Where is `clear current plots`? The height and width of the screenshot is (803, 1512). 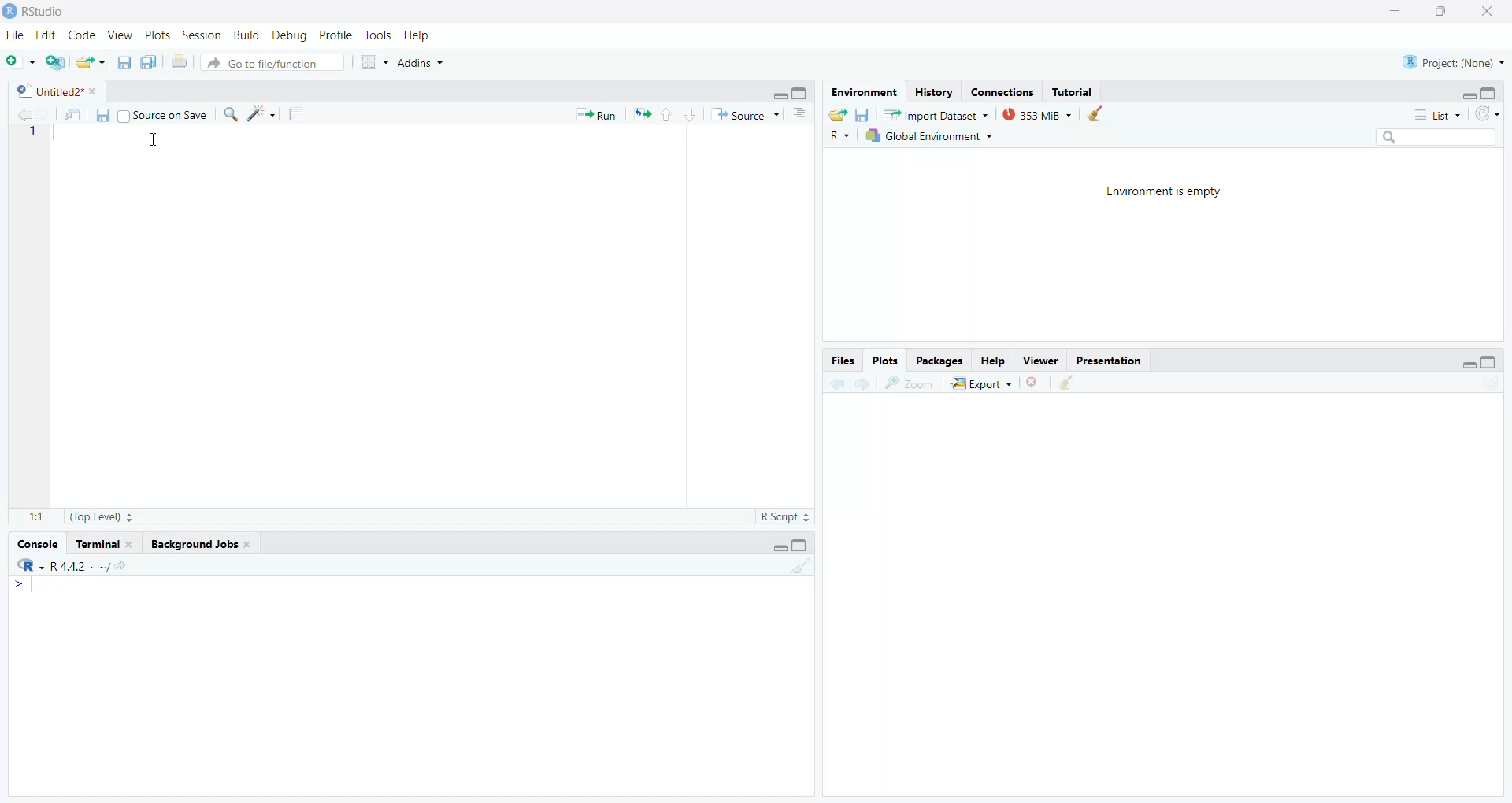 clear current plots is located at coordinates (1036, 381).